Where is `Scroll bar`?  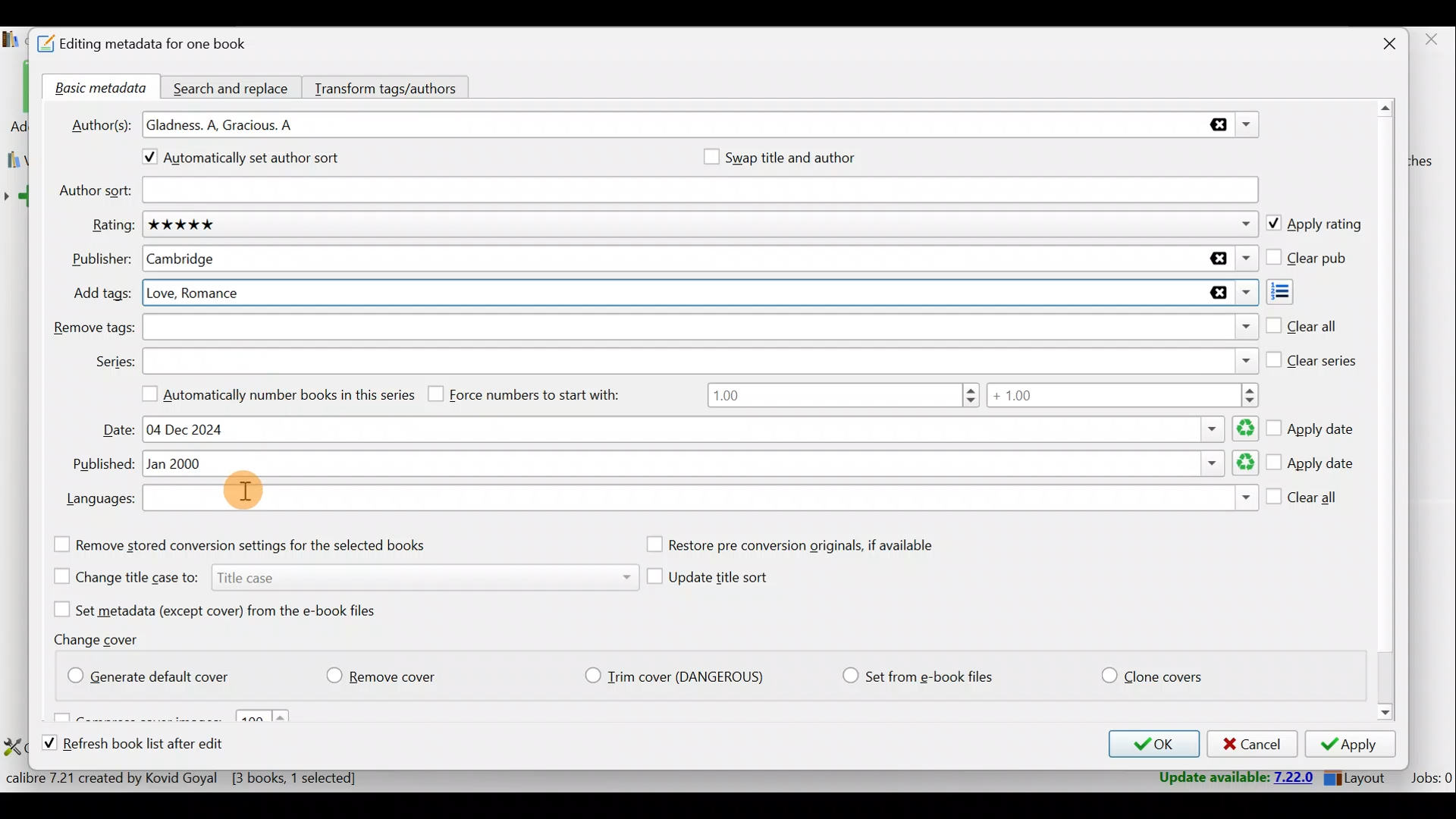 Scroll bar is located at coordinates (1387, 413).